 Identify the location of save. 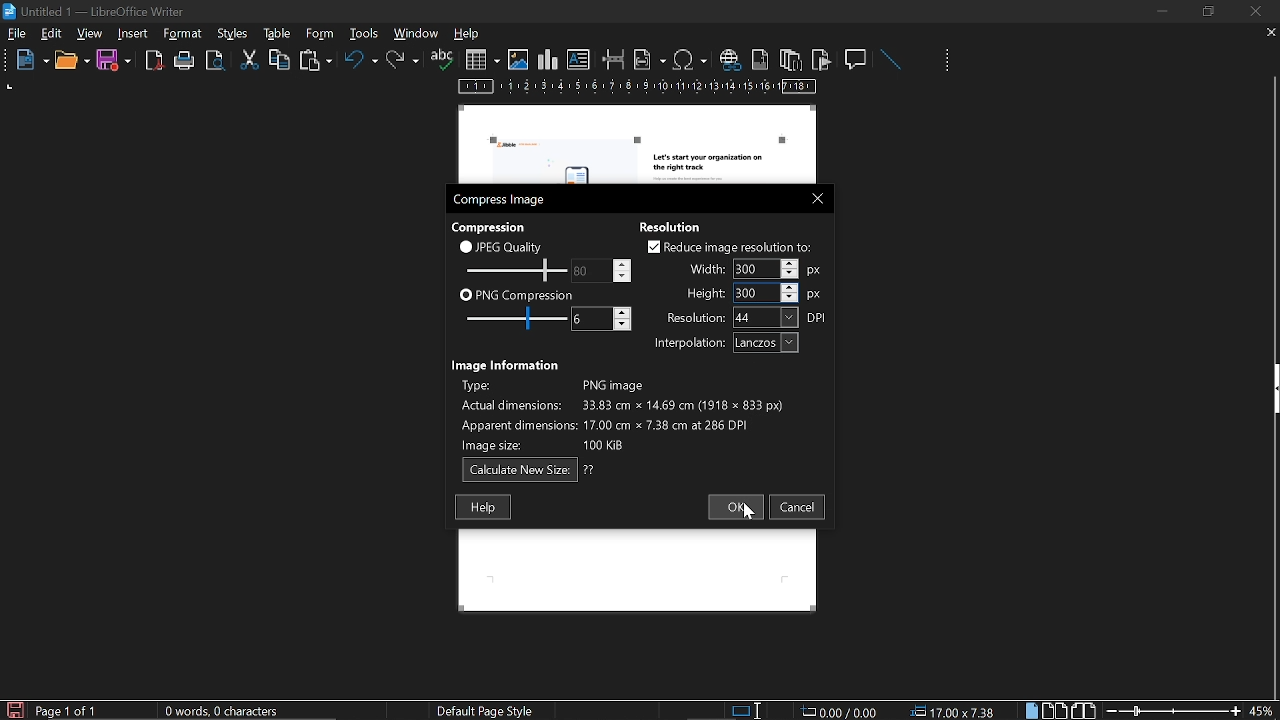
(14, 709).